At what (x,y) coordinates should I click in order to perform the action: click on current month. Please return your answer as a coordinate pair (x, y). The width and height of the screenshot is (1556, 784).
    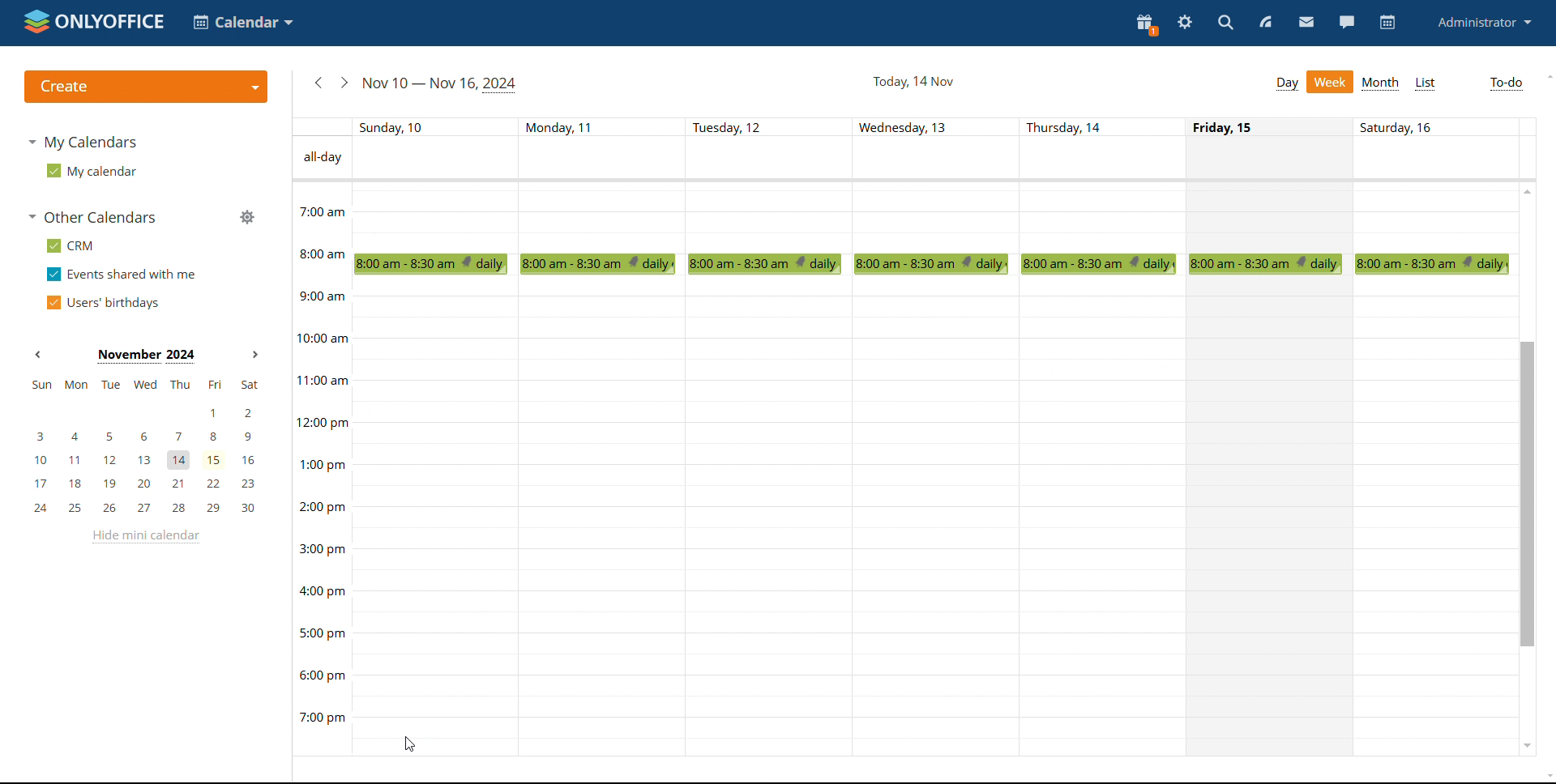
    Looking at the image, I should click on (144, 355).